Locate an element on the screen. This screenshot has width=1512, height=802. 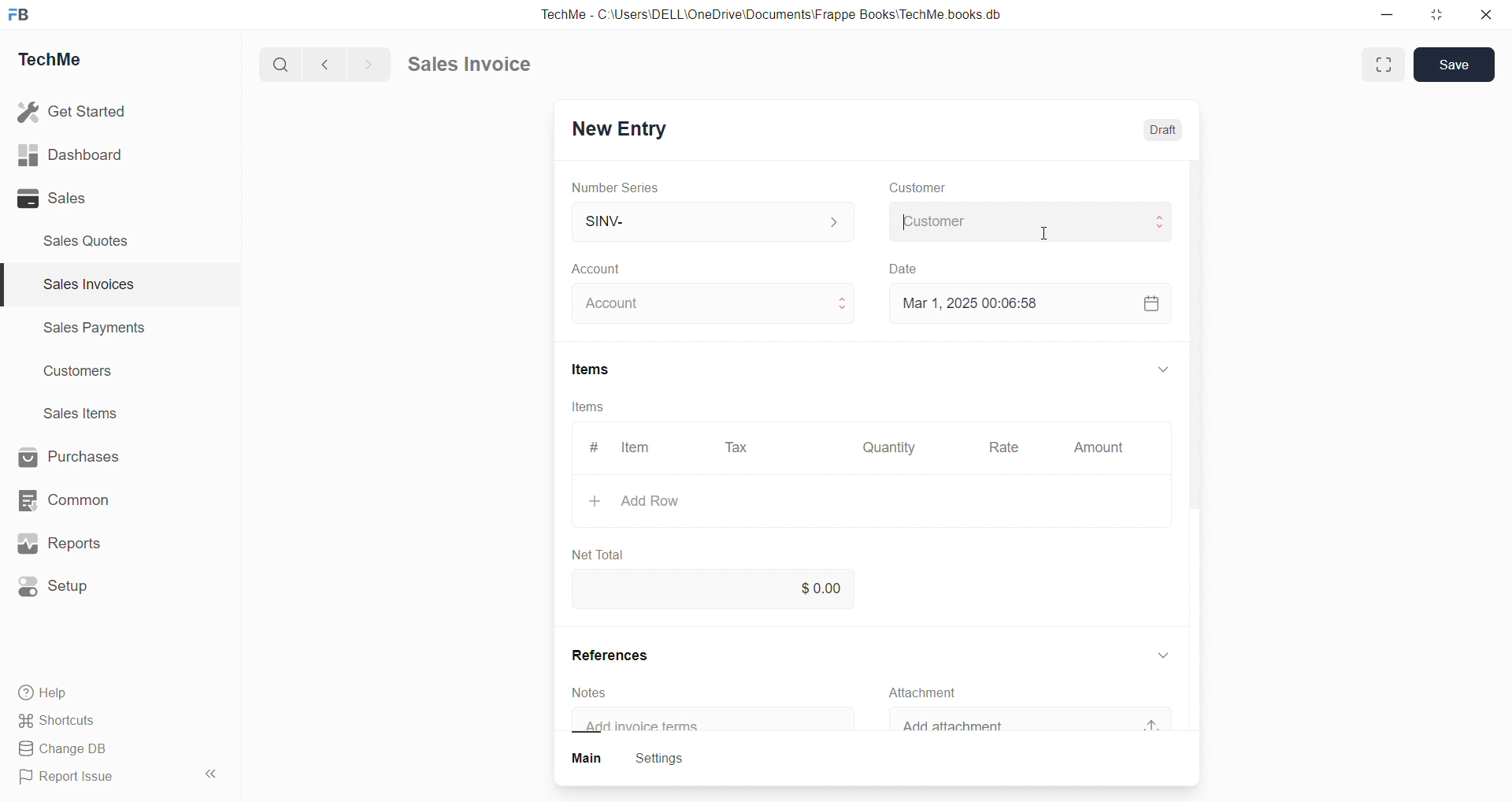
 Help is located at coordinates (51, 695).